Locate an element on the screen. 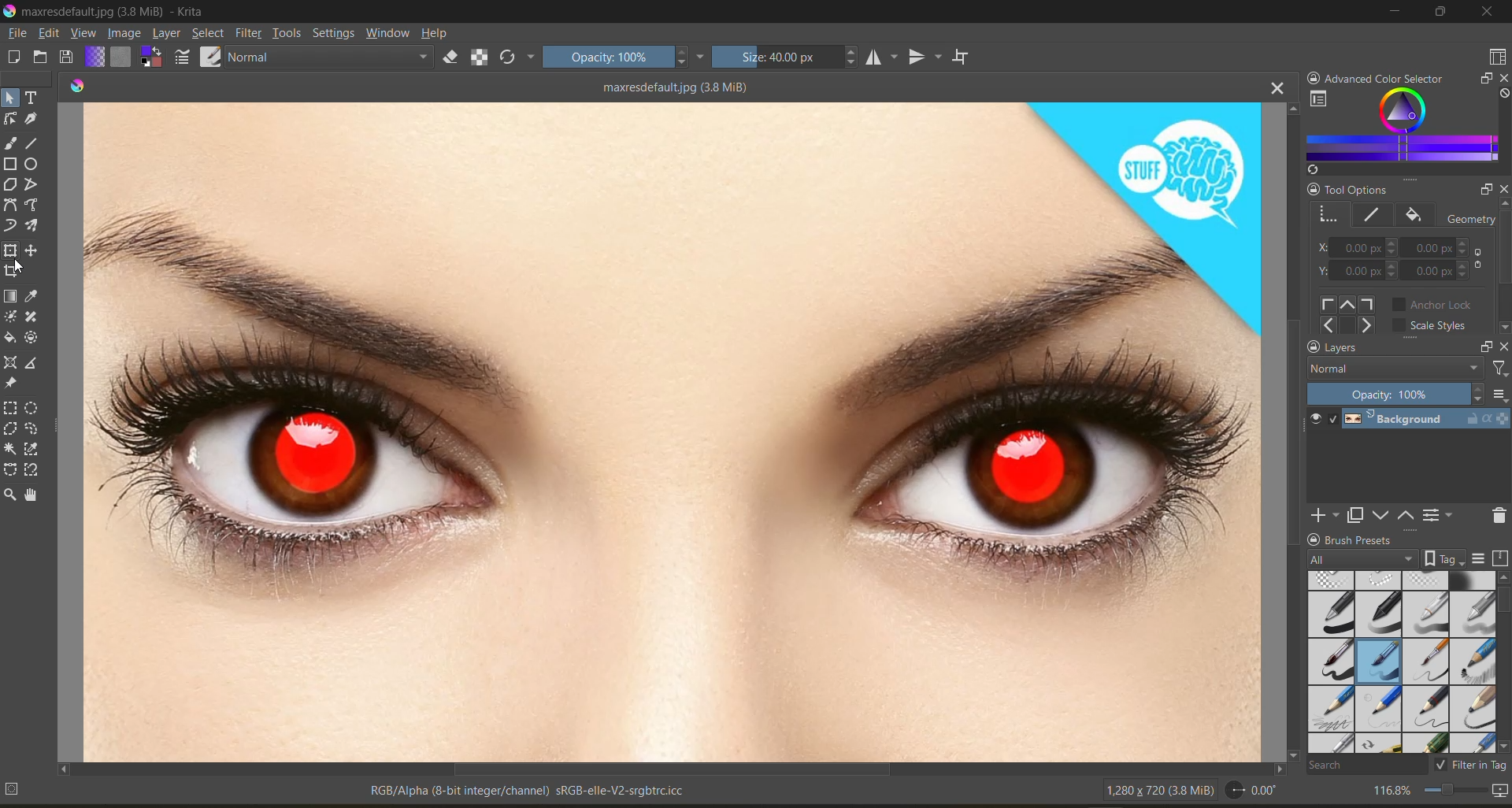 This screenshot has width=1512, height=808. choose workspace is located at coordinates (1496, 57).